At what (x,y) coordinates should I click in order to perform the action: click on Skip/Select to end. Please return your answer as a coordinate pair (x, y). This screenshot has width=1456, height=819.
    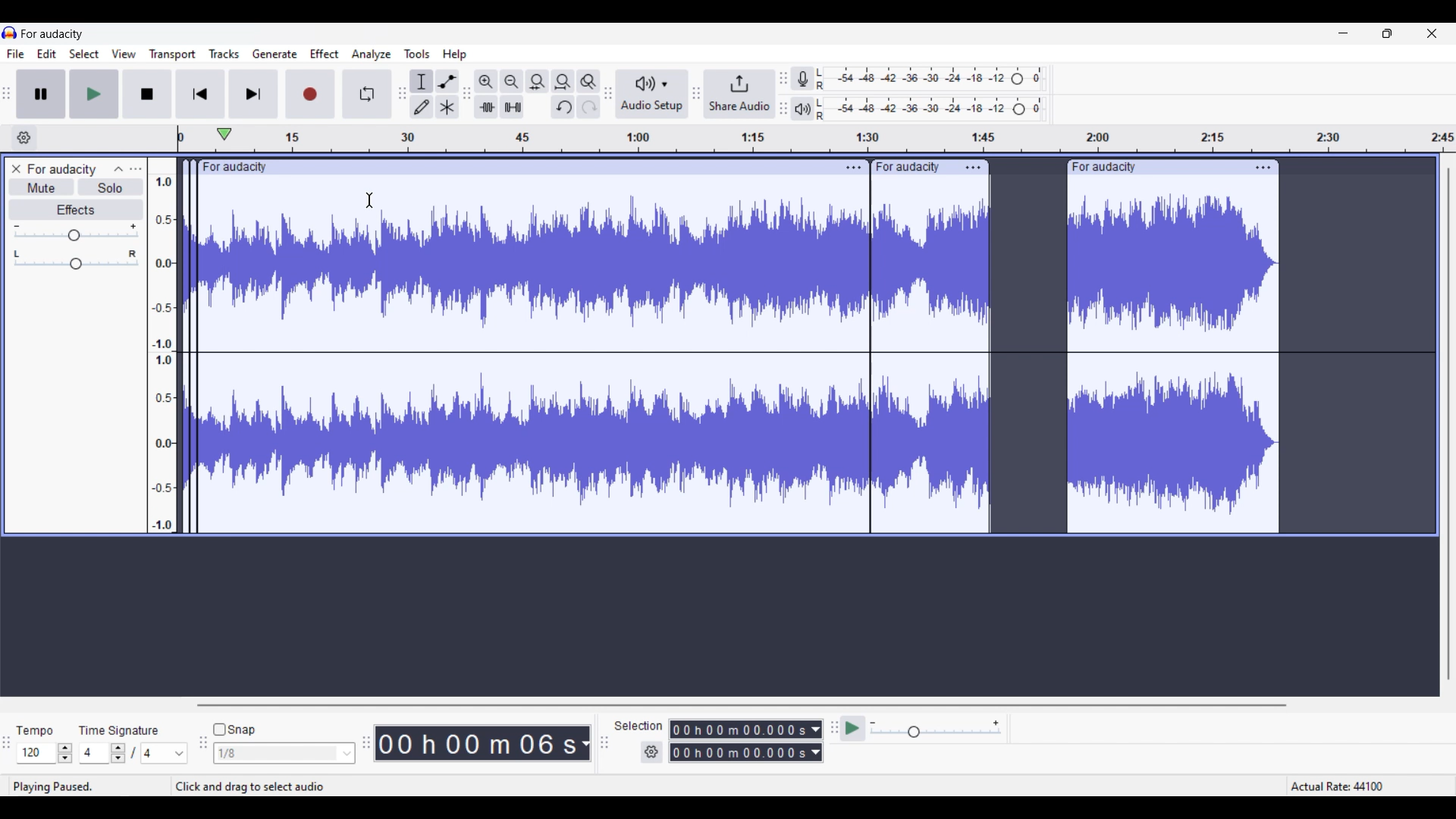
    Looking at the image, I should click on (255, 93).